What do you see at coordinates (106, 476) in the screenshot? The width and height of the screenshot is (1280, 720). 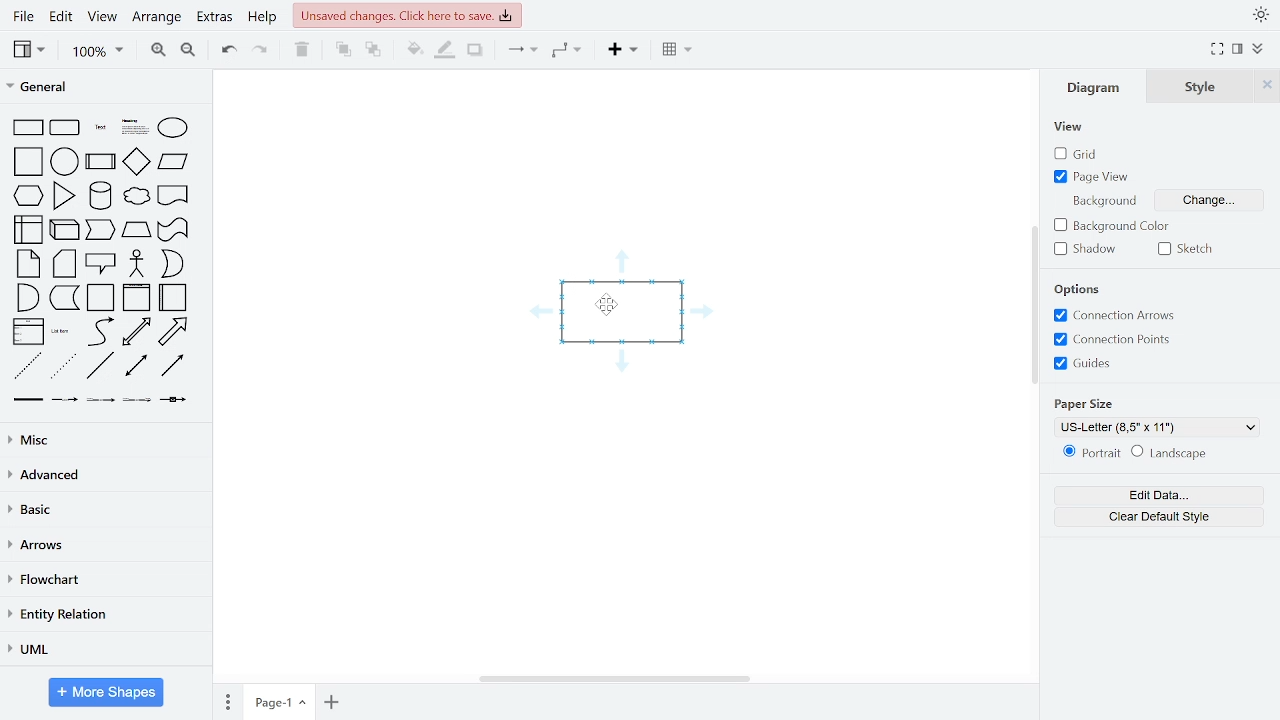 I see `advanced` at bounding box center [106, 476].